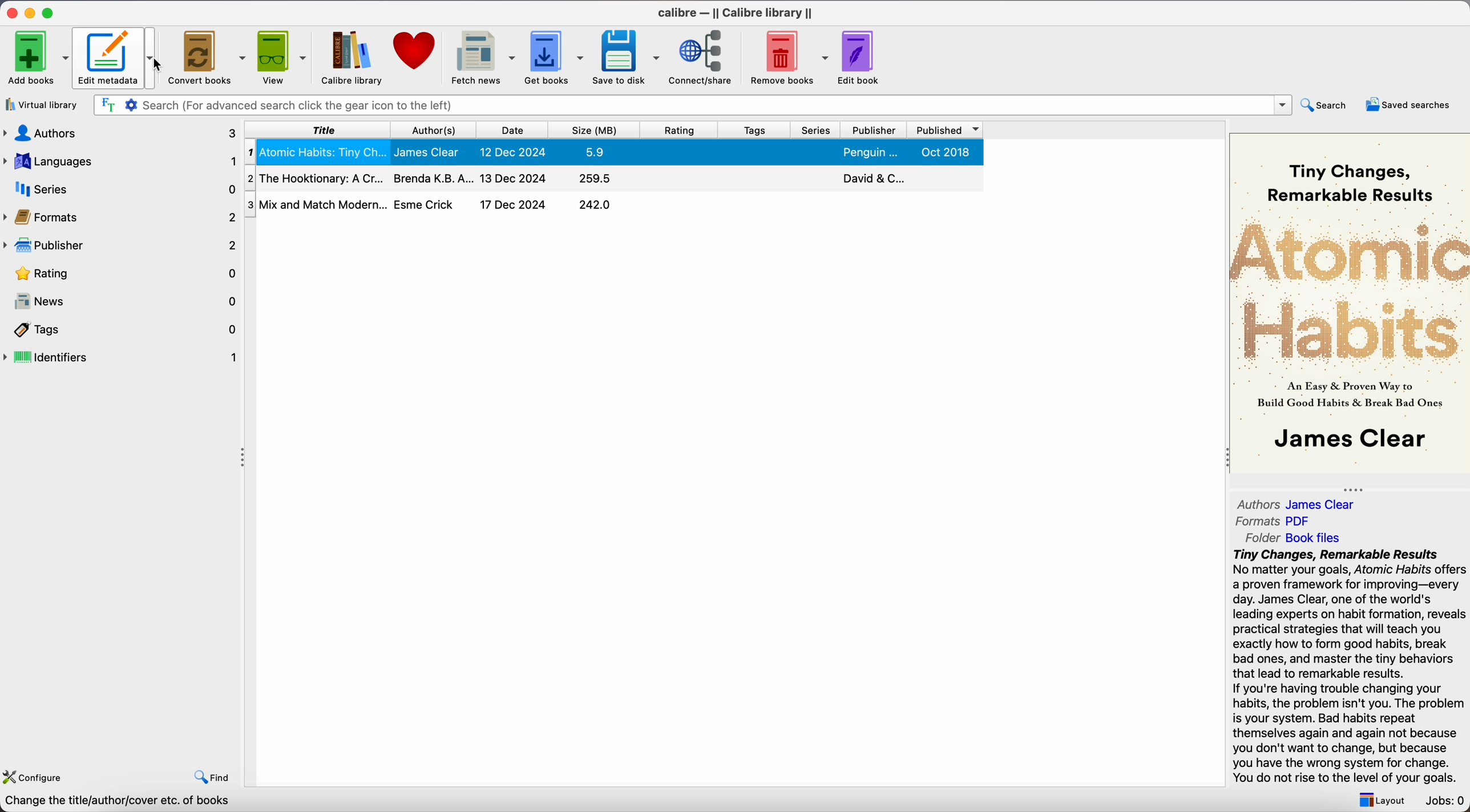 The image size is (1470, 812). What do you see at coordinates (870, 152) in the screenshot?
I see `Penguin...` at bounding box center [870, 152].